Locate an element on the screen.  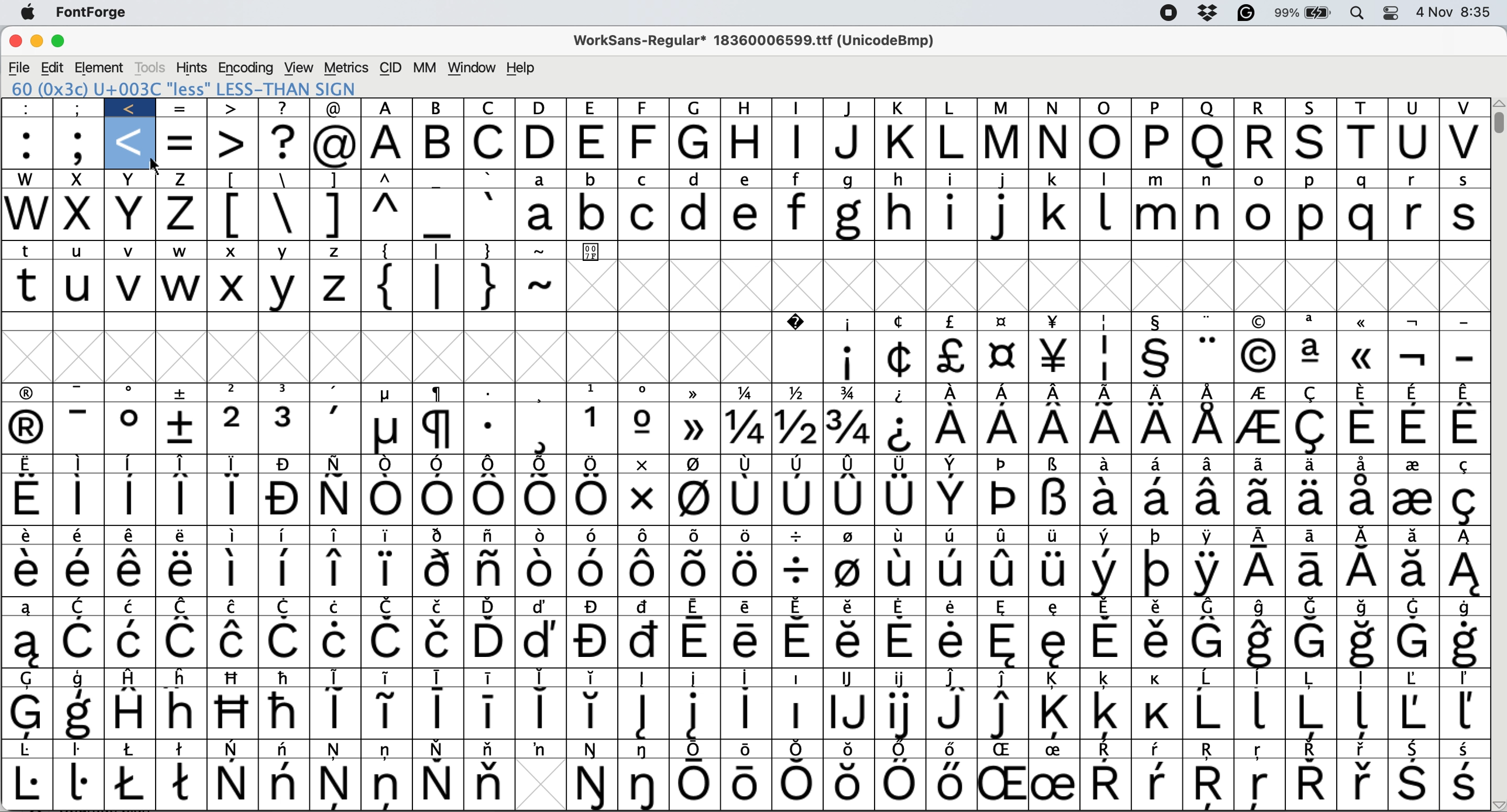
q is located at coordinates (1363, 180).